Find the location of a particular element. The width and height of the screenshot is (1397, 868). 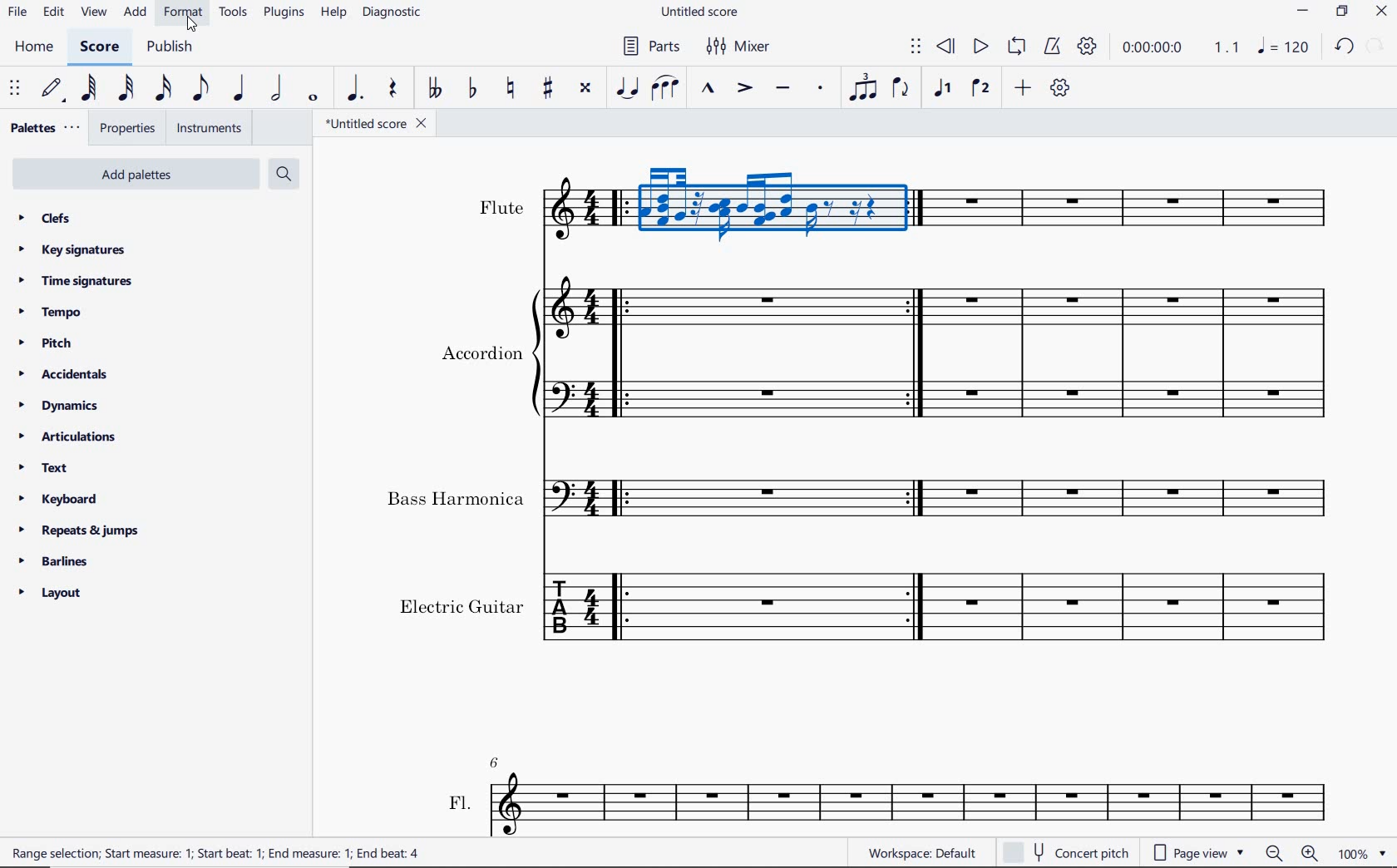

MINIMIZE is located at coordinates (1302, 13).